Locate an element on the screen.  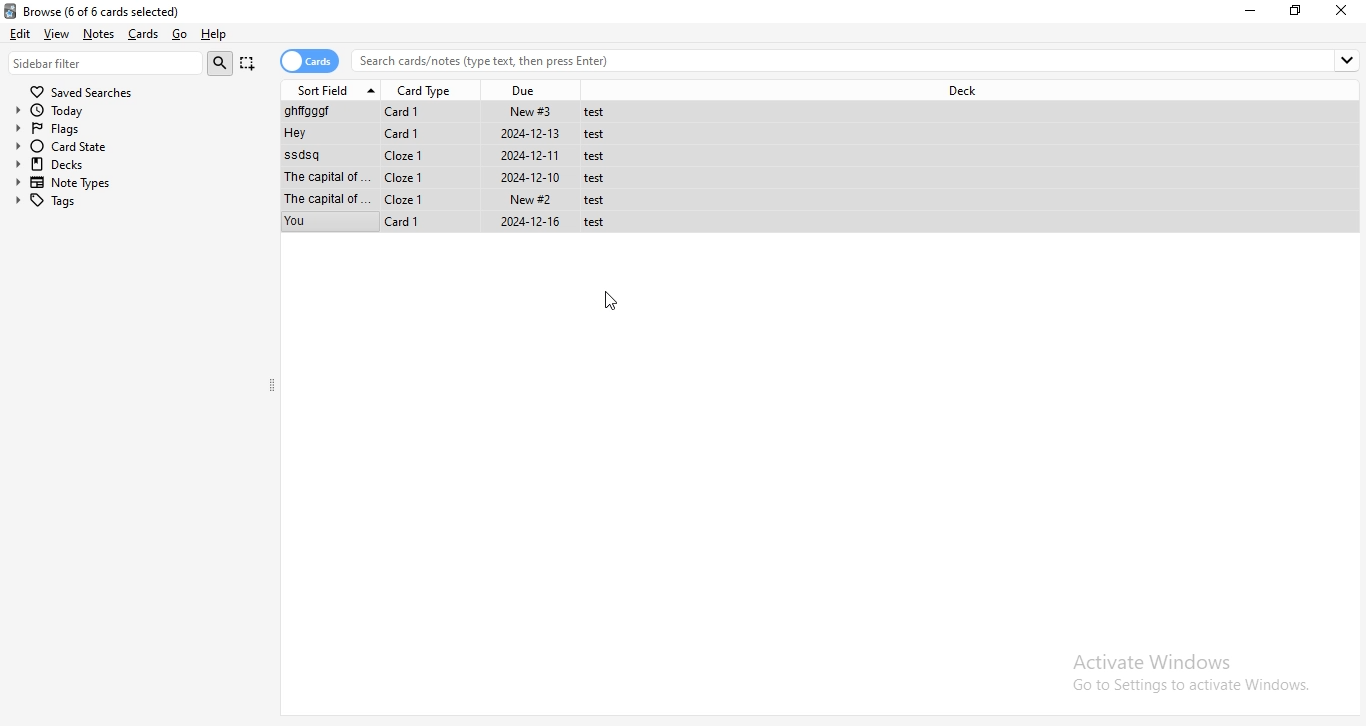
due is located at coordinates (530, 88).